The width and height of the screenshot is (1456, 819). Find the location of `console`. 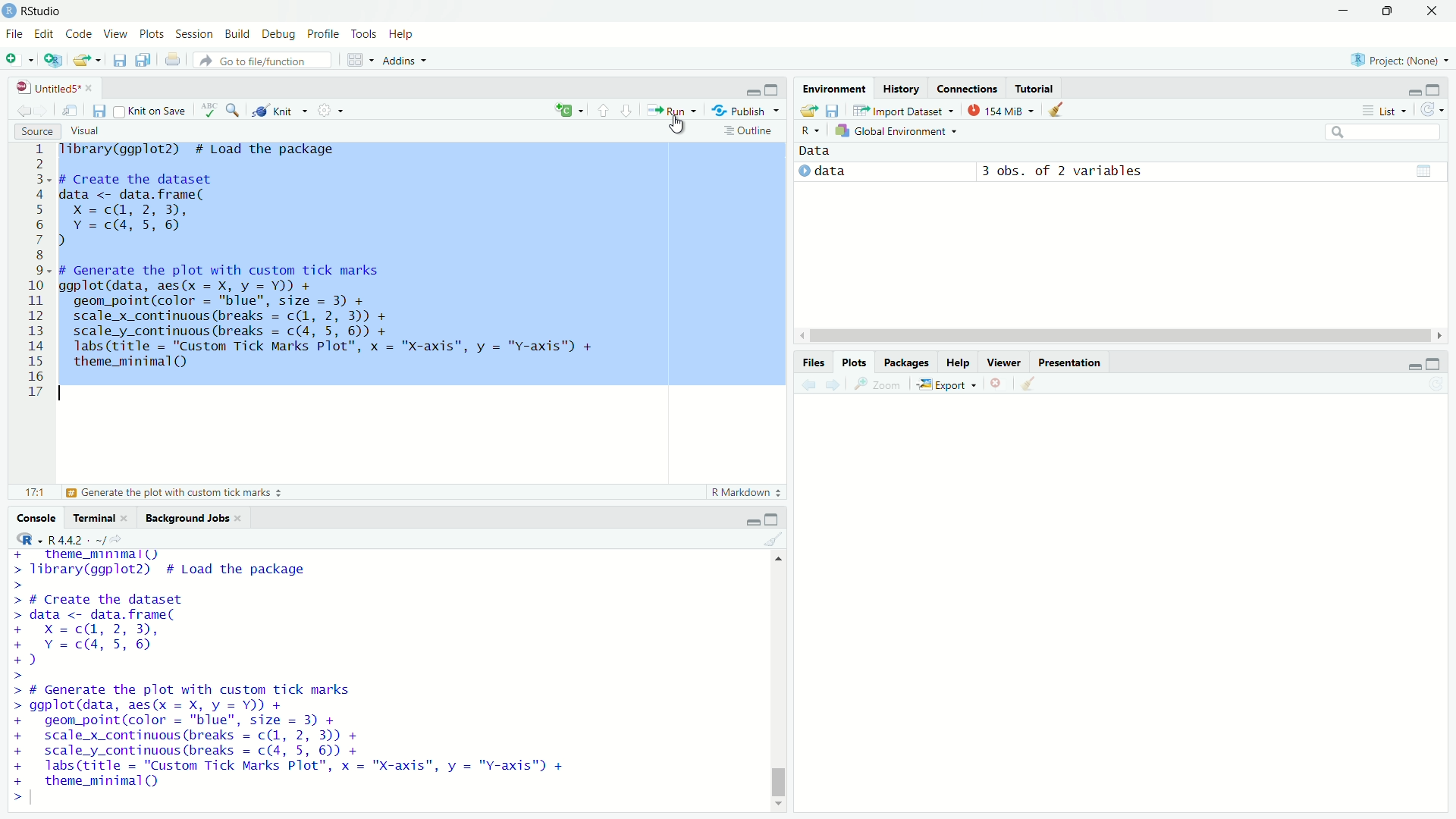

console is located at coordinates (32, 517).